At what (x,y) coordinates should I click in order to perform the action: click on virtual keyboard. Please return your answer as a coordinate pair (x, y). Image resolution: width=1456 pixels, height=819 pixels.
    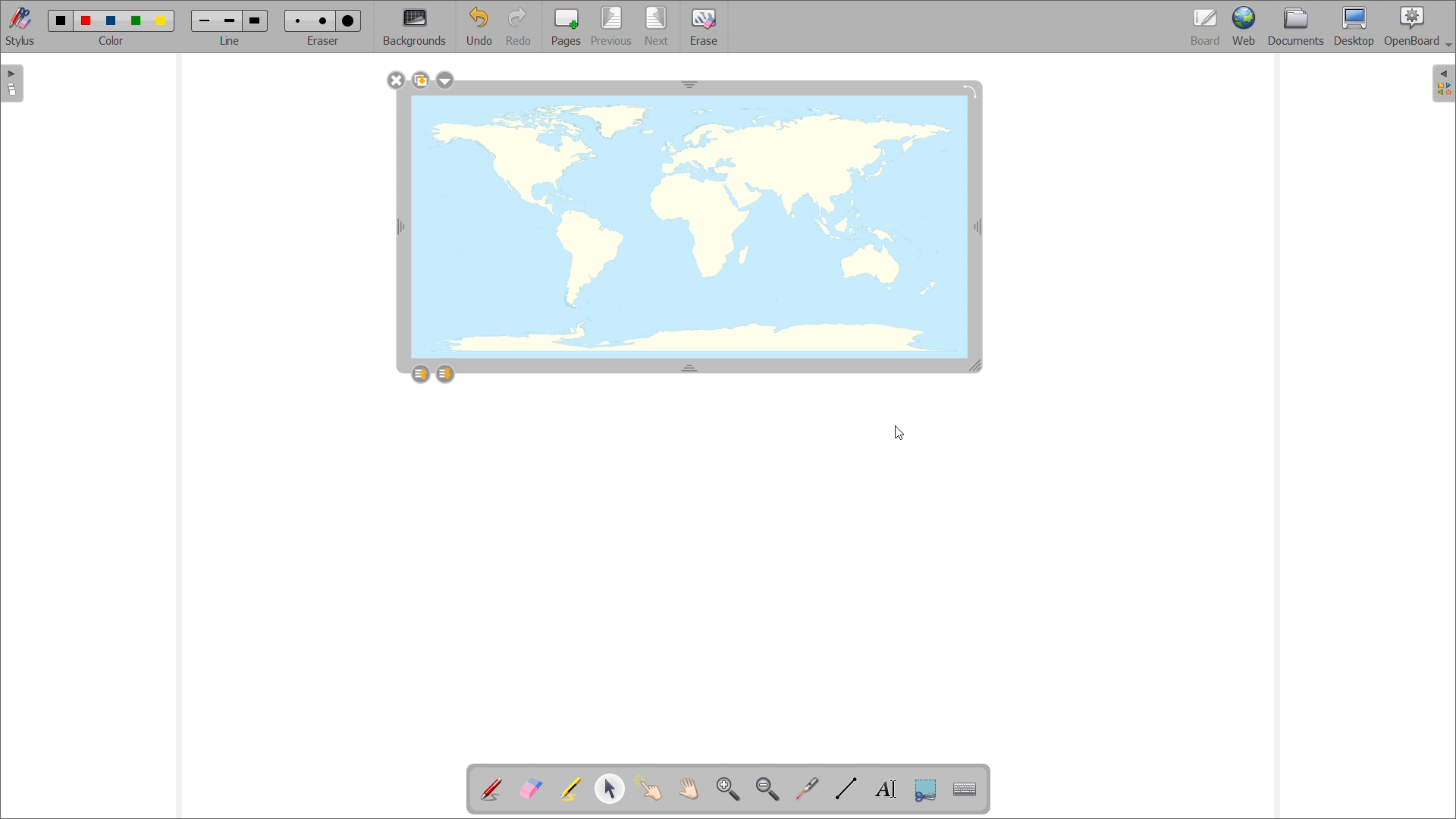
    Looking at the image, I should click on (965, 789).